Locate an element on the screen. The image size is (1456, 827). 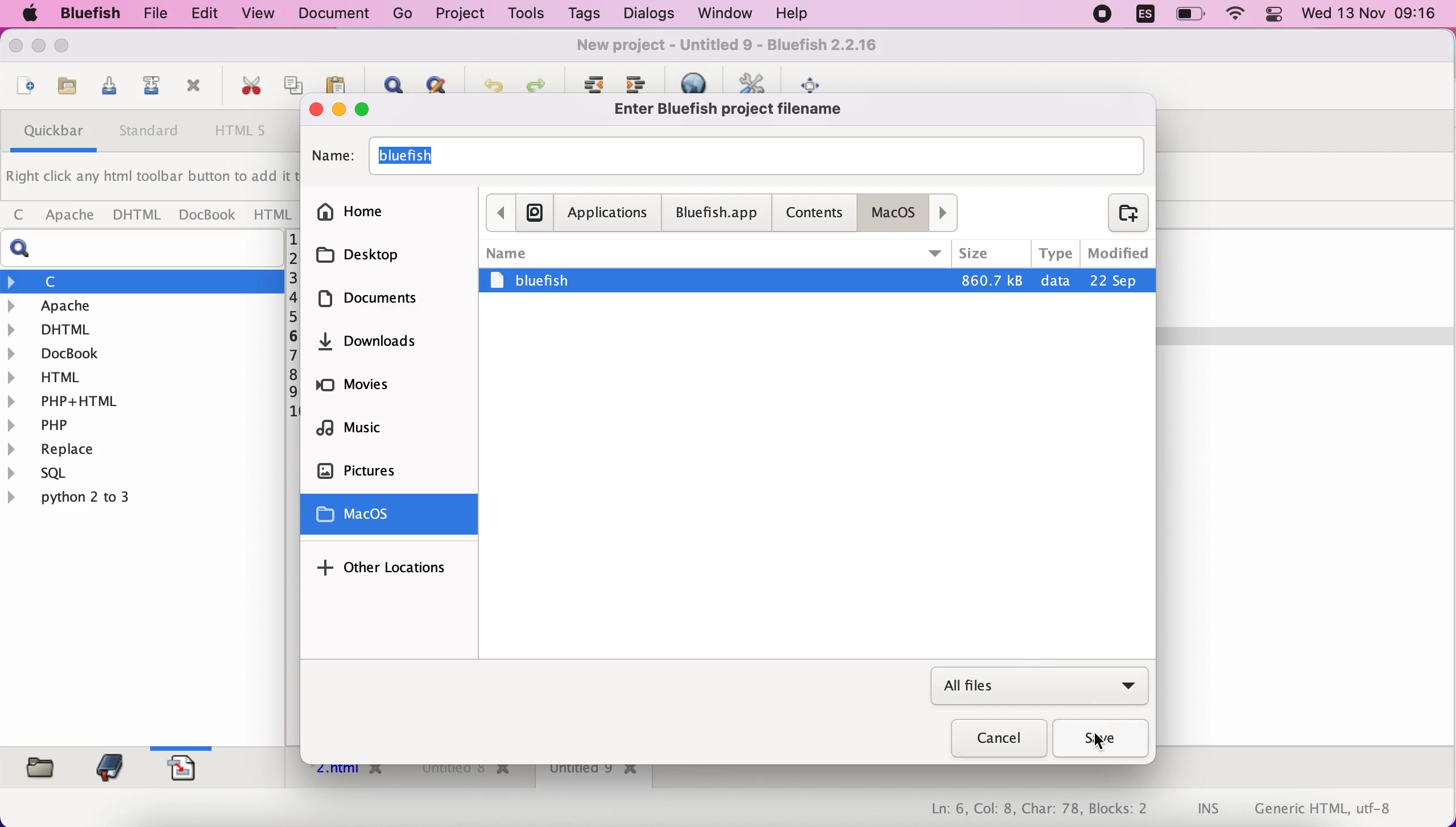
macos is located at coordinates (897, 212).